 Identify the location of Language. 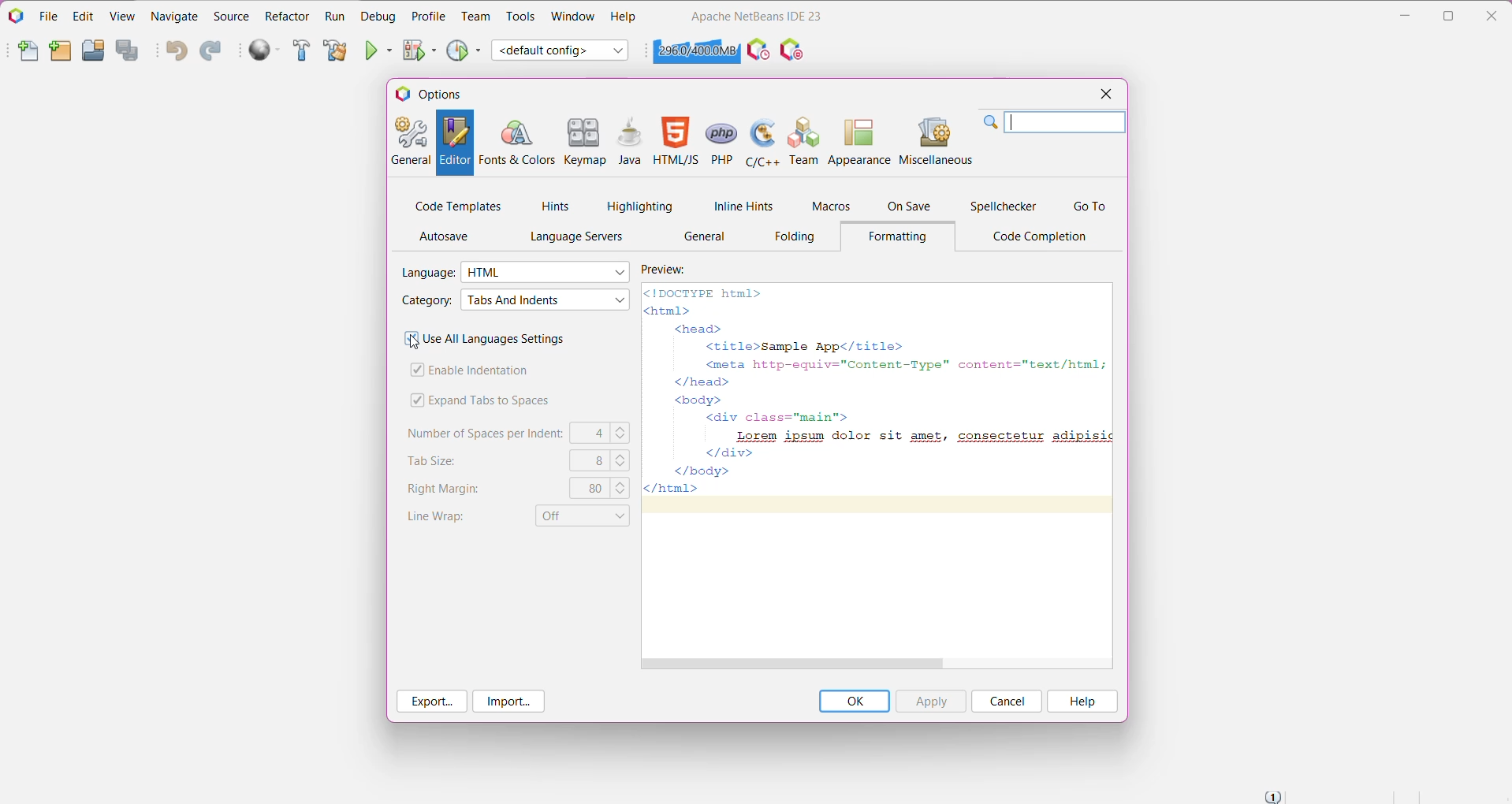
(428, 272).